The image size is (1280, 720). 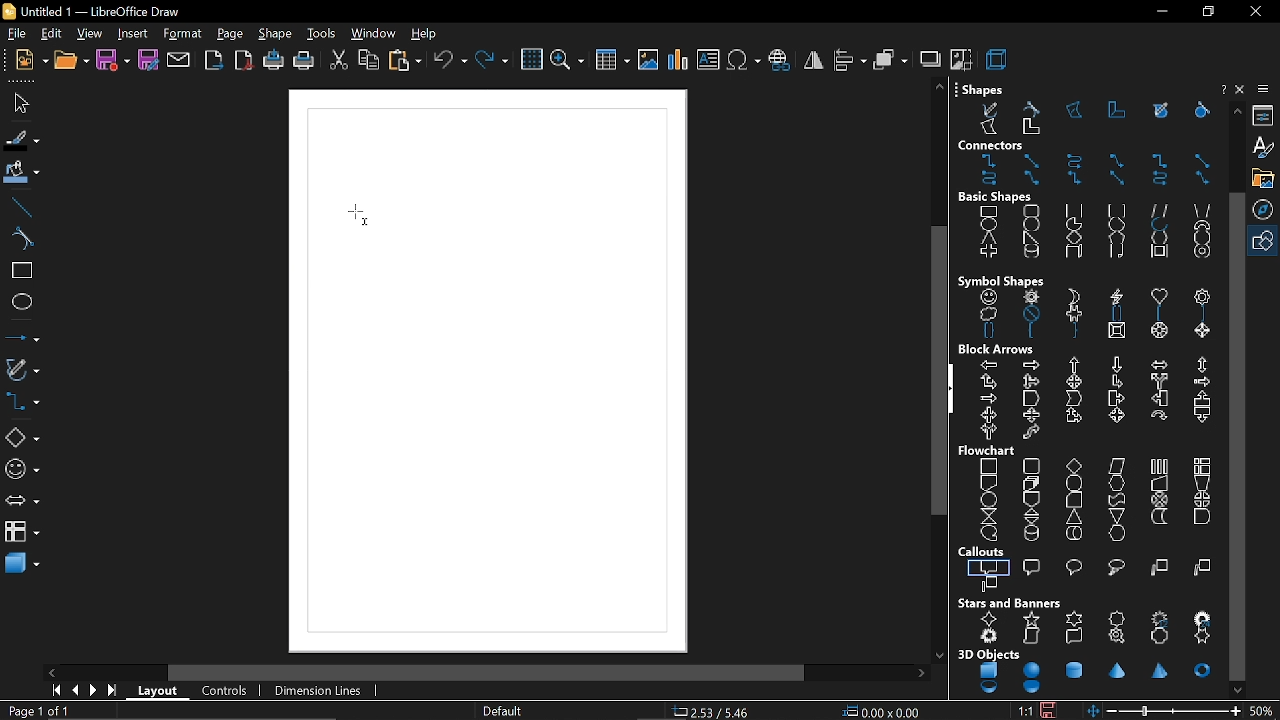 I want to click on rectangle, so click(x=989, y=212).